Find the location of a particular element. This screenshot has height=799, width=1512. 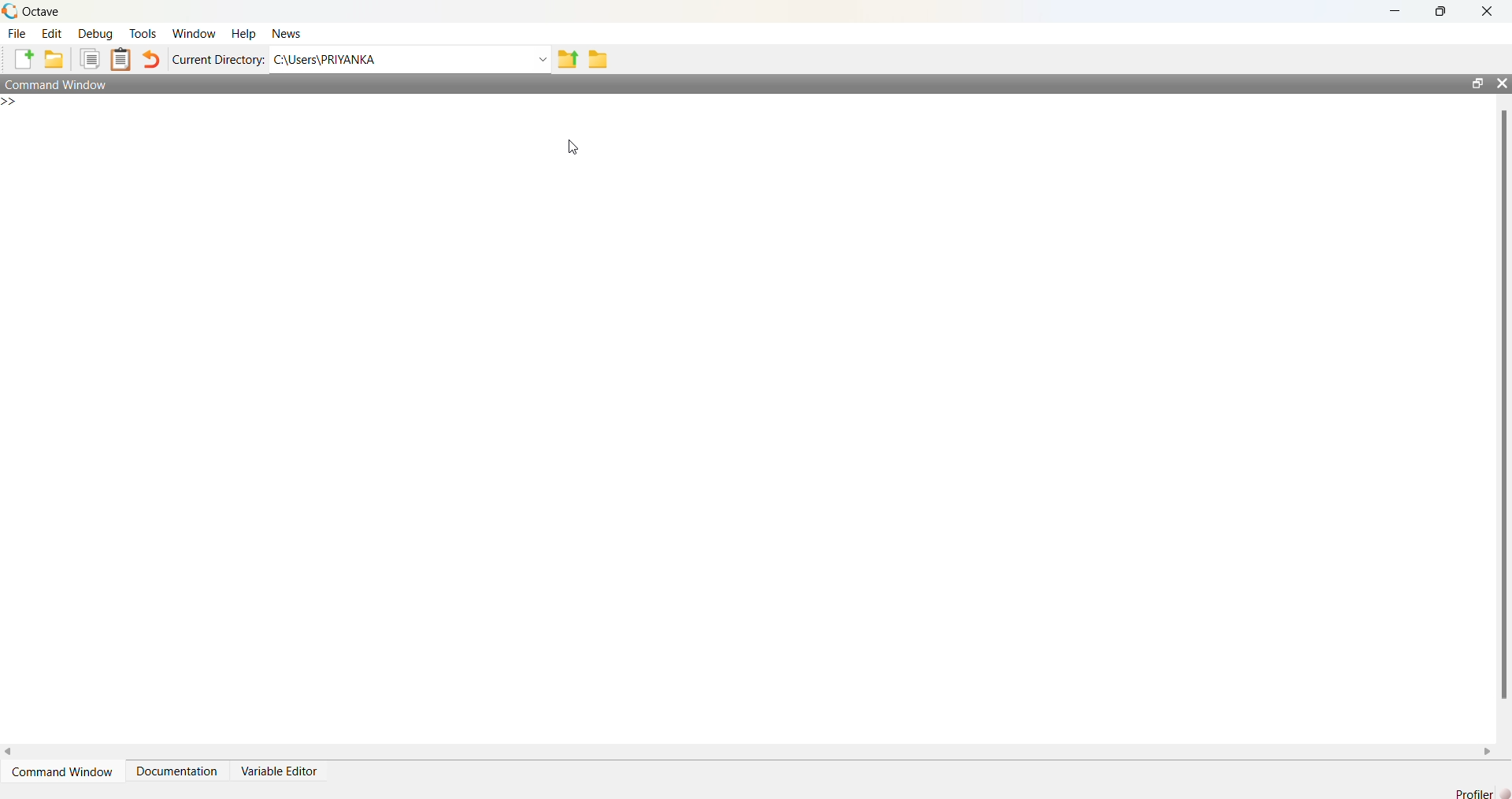

Undo is located at coordinates (150, 58).